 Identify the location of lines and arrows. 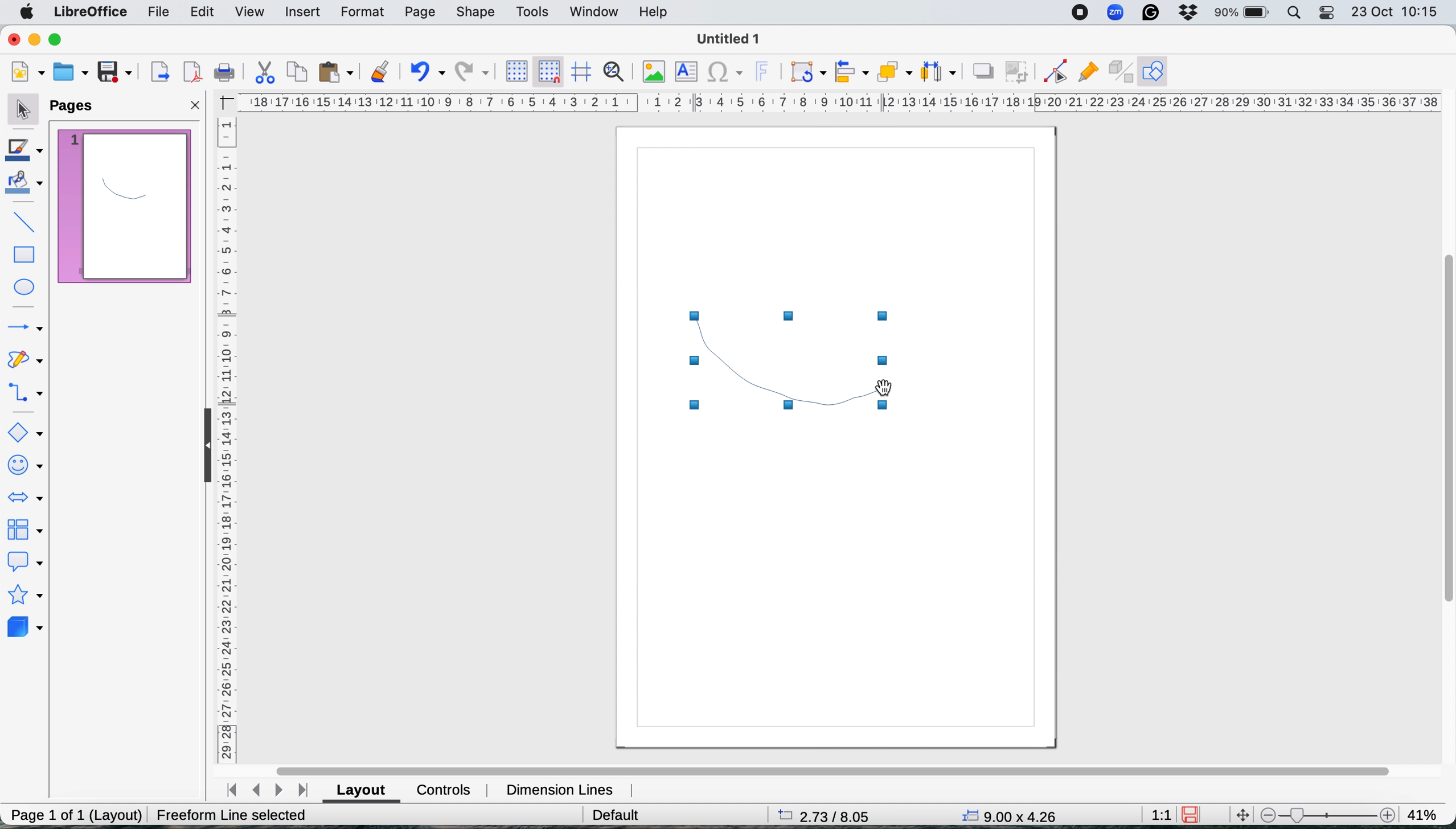
(24, 327).